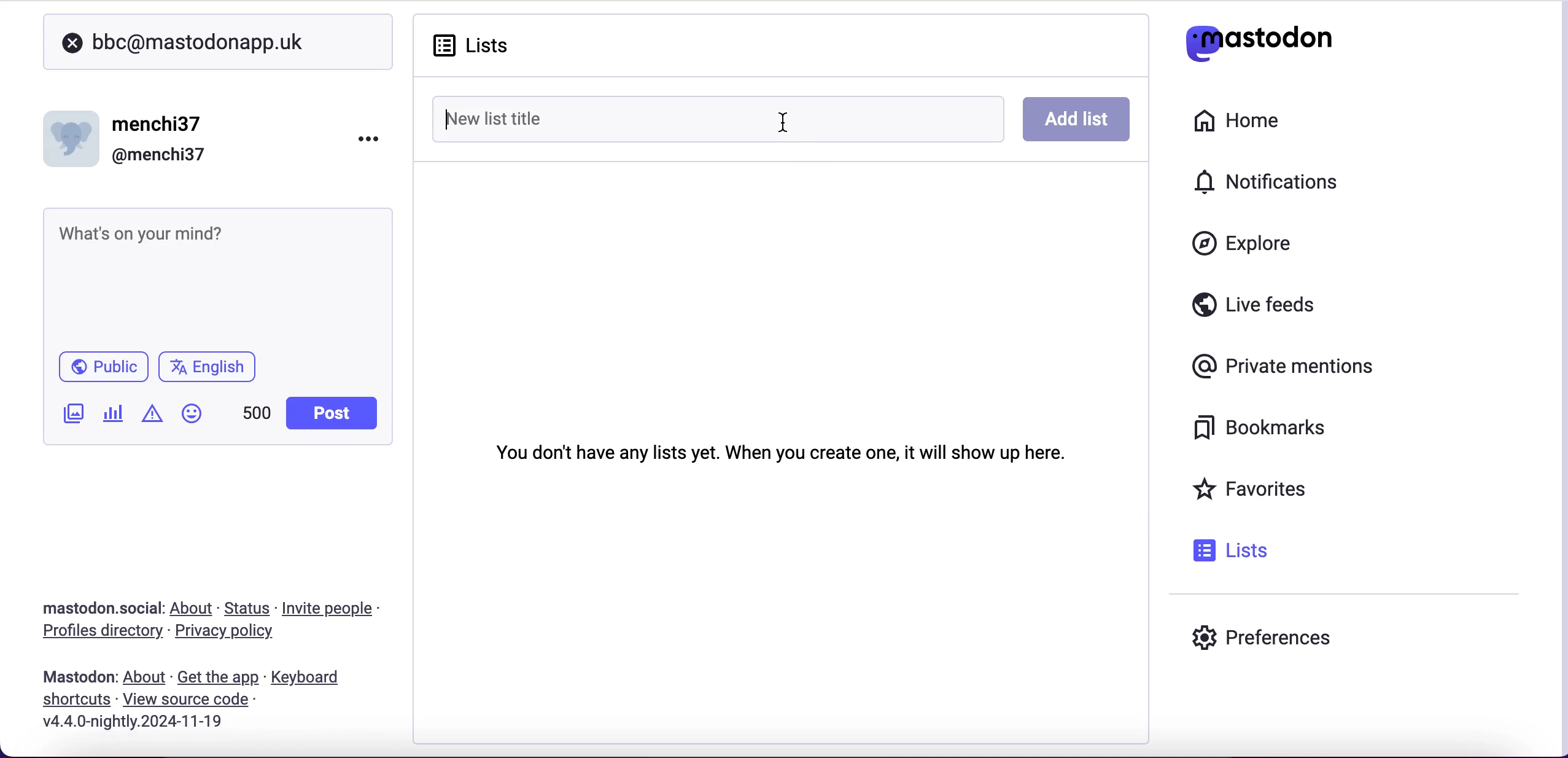 The height and width of the screenshot is (758, 1568). Describe the element at coordinates (79, 677) in the screenshot. I see `mastodon` at that location.